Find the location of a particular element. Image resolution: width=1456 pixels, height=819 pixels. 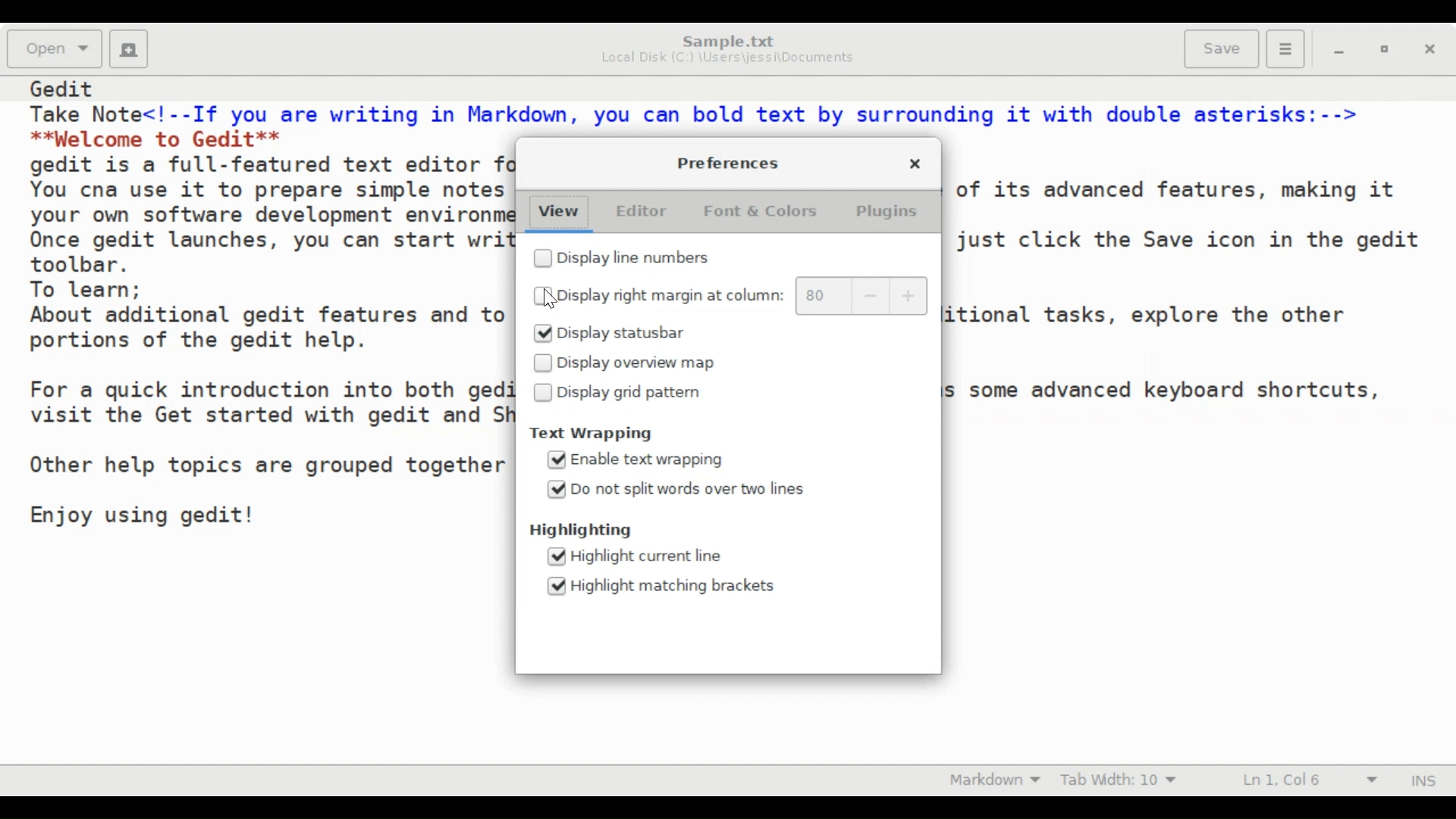

close is located at coordinates (1429, 51).